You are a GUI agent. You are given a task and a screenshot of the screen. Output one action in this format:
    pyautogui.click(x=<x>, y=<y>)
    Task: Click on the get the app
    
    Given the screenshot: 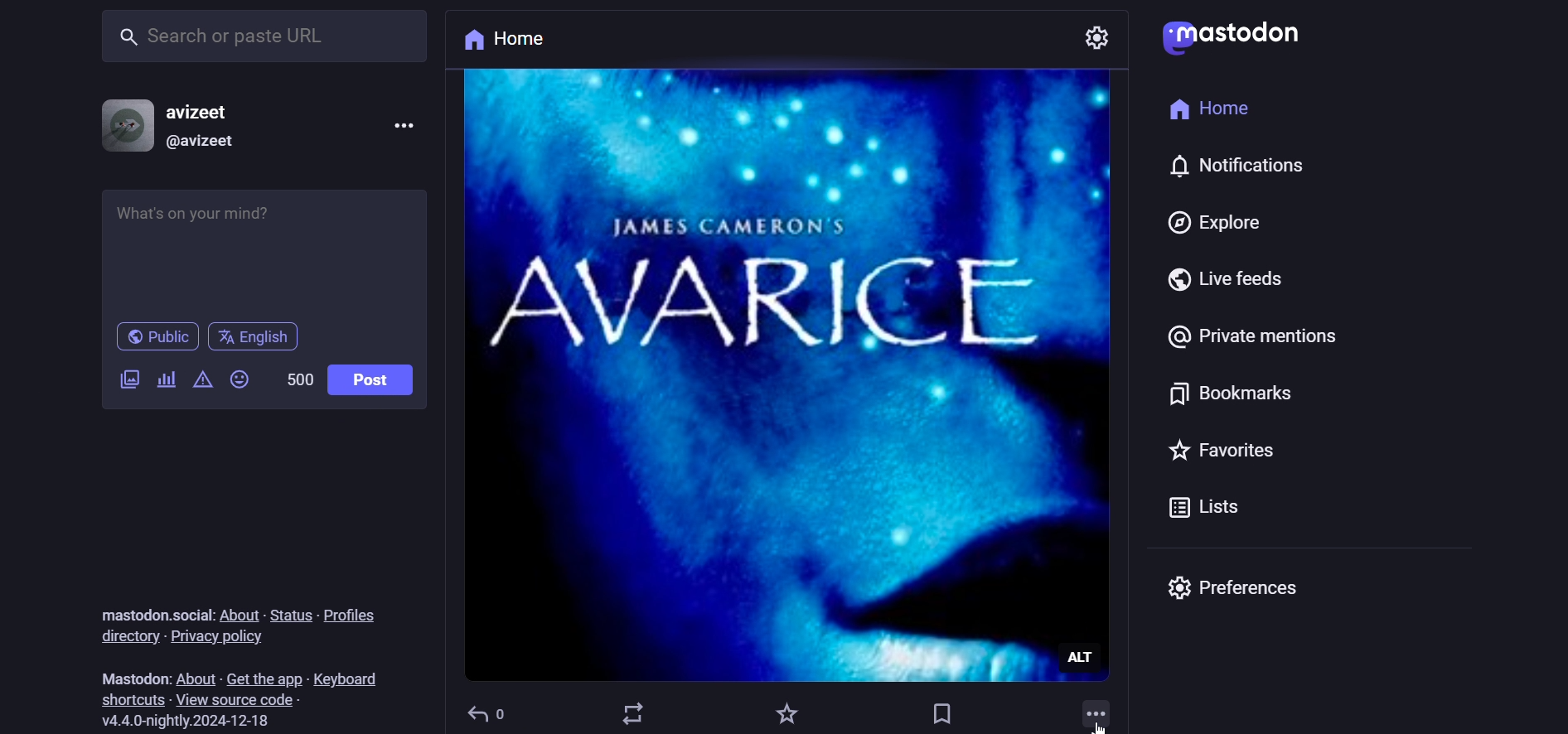 What is the action you would take?
    pyautogui.click(x=259, y=679)
    